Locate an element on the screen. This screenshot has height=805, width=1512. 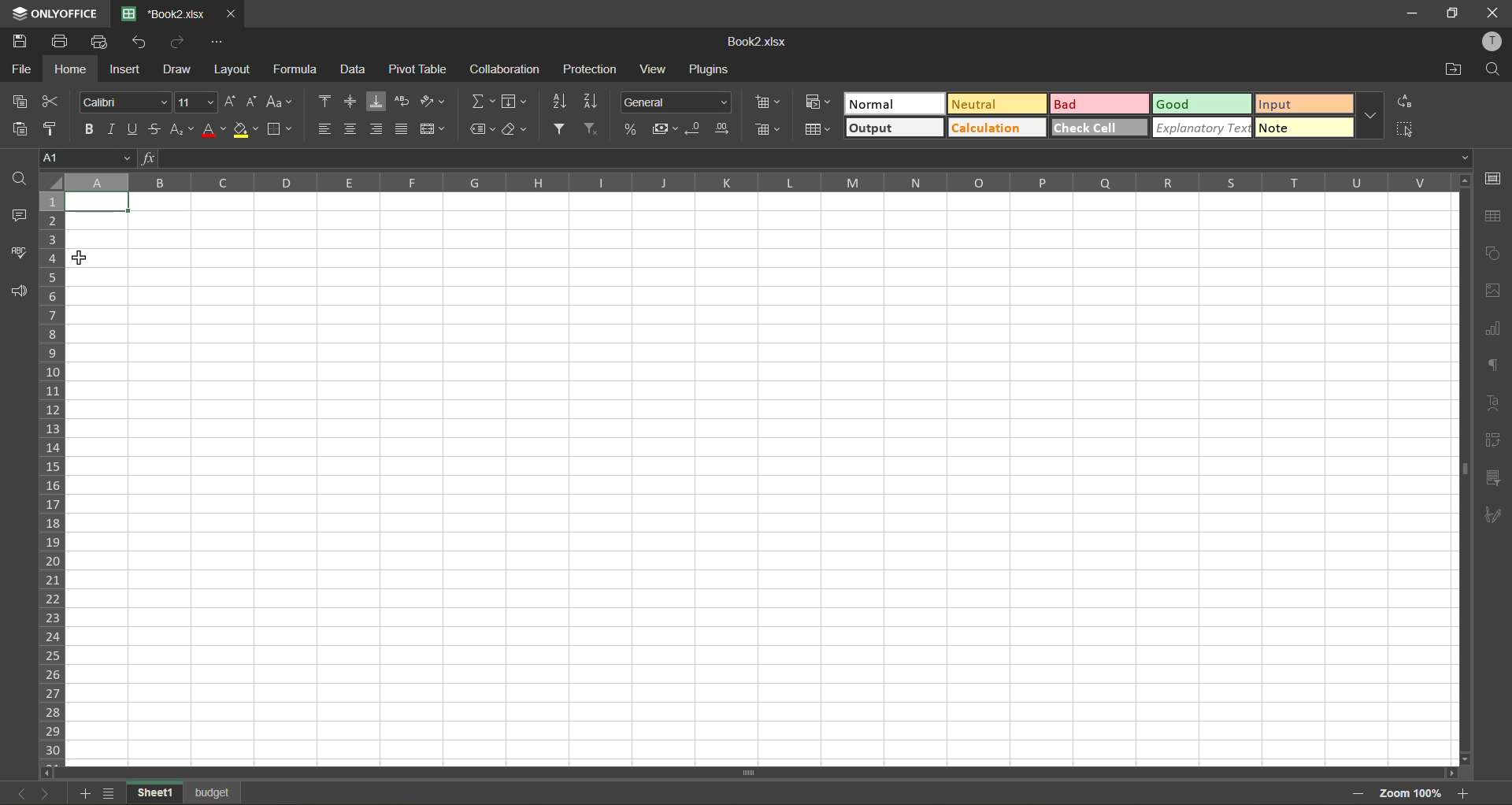
paragraph is located at coordinates (1496, 366).